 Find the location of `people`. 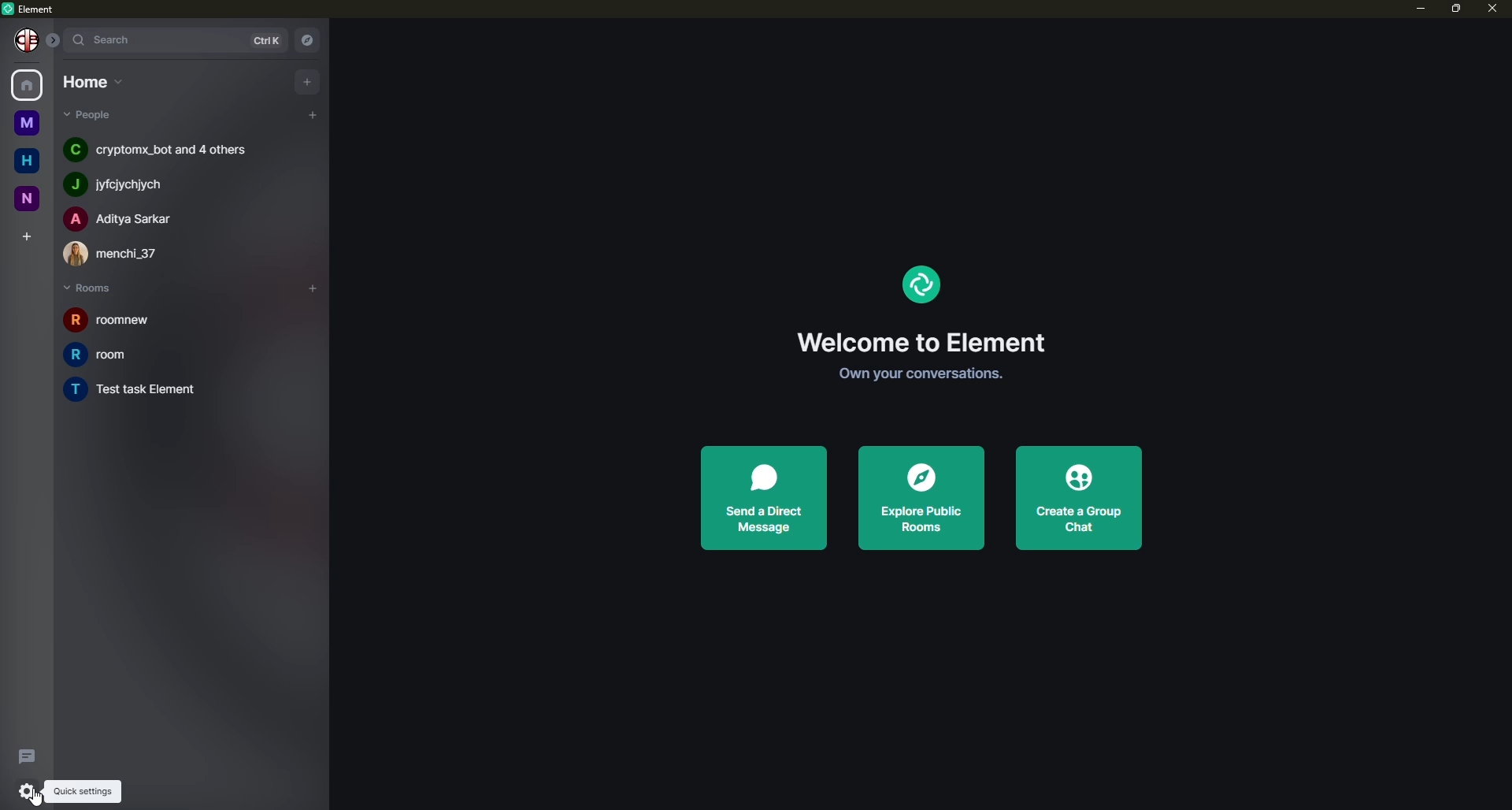

people is located at coordinates (124, 184).